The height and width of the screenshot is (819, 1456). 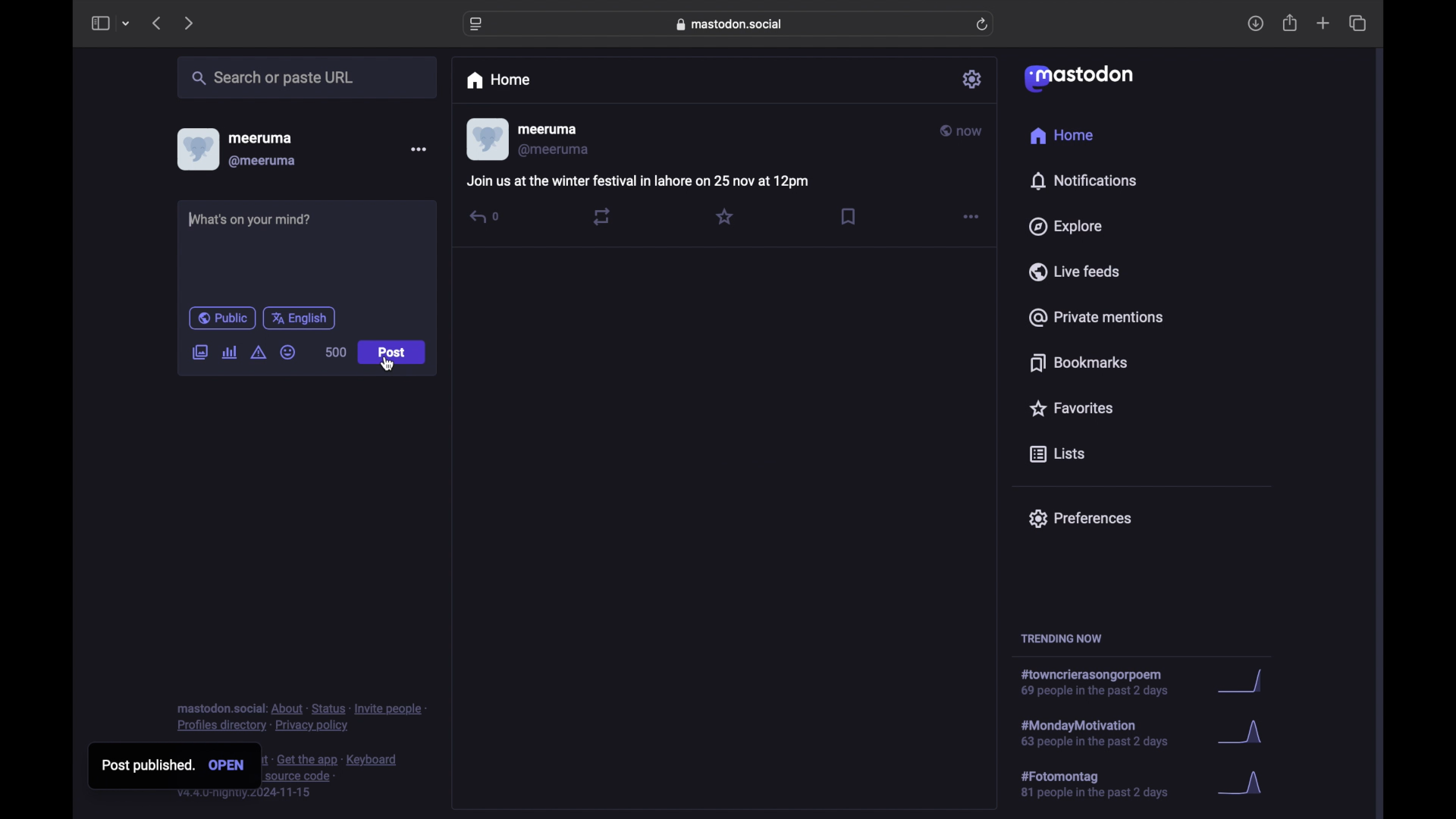 What do you see at coordinates (126, 24) in the screenshot?
I see `tab group picker` at bounding box center [126, 24].